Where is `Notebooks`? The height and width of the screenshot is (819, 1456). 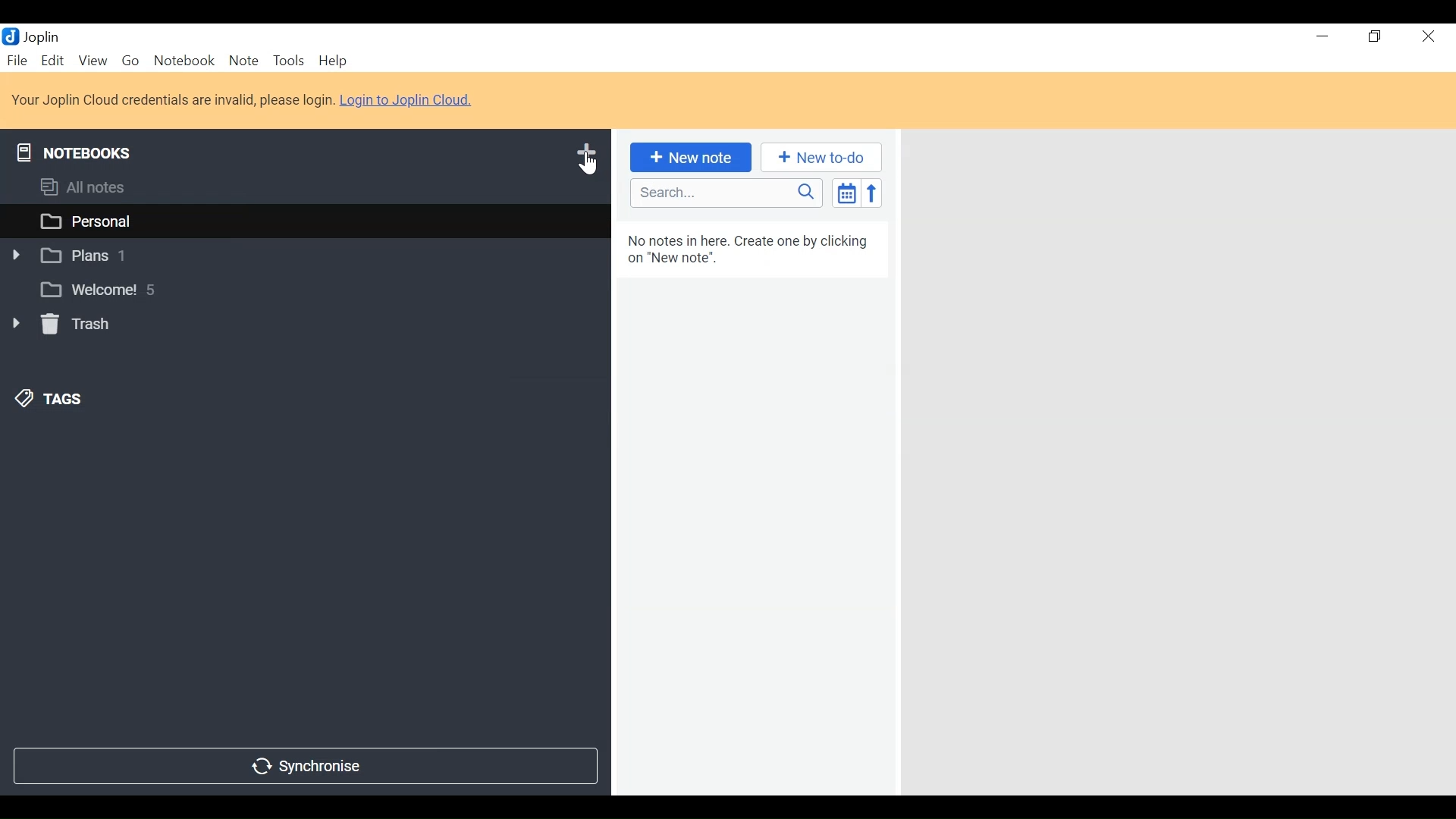
Notebooks is located at coordinates (78, 154).